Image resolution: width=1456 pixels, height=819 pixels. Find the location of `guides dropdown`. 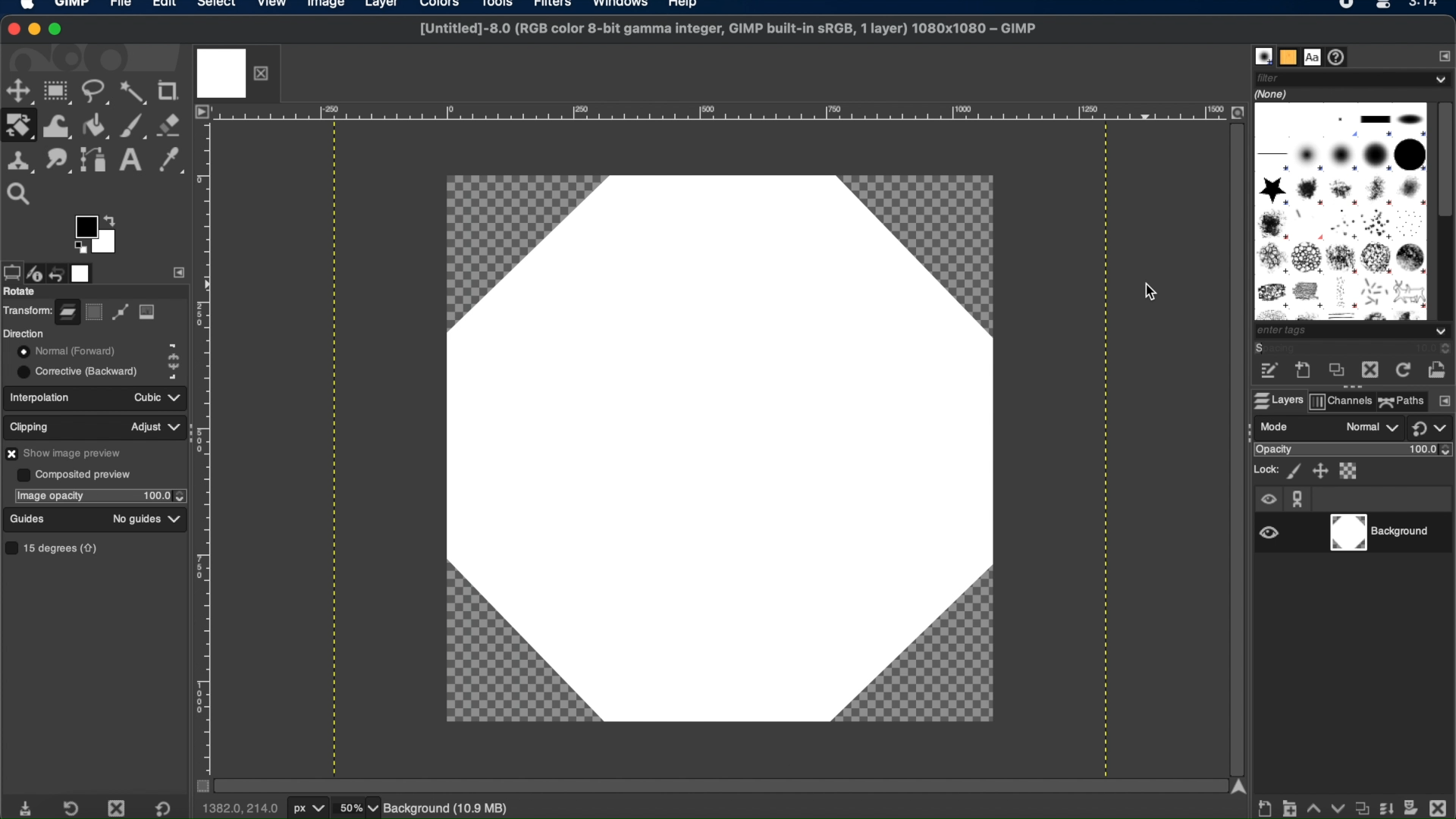

guides dropdown is located at coordinates (176, 519).